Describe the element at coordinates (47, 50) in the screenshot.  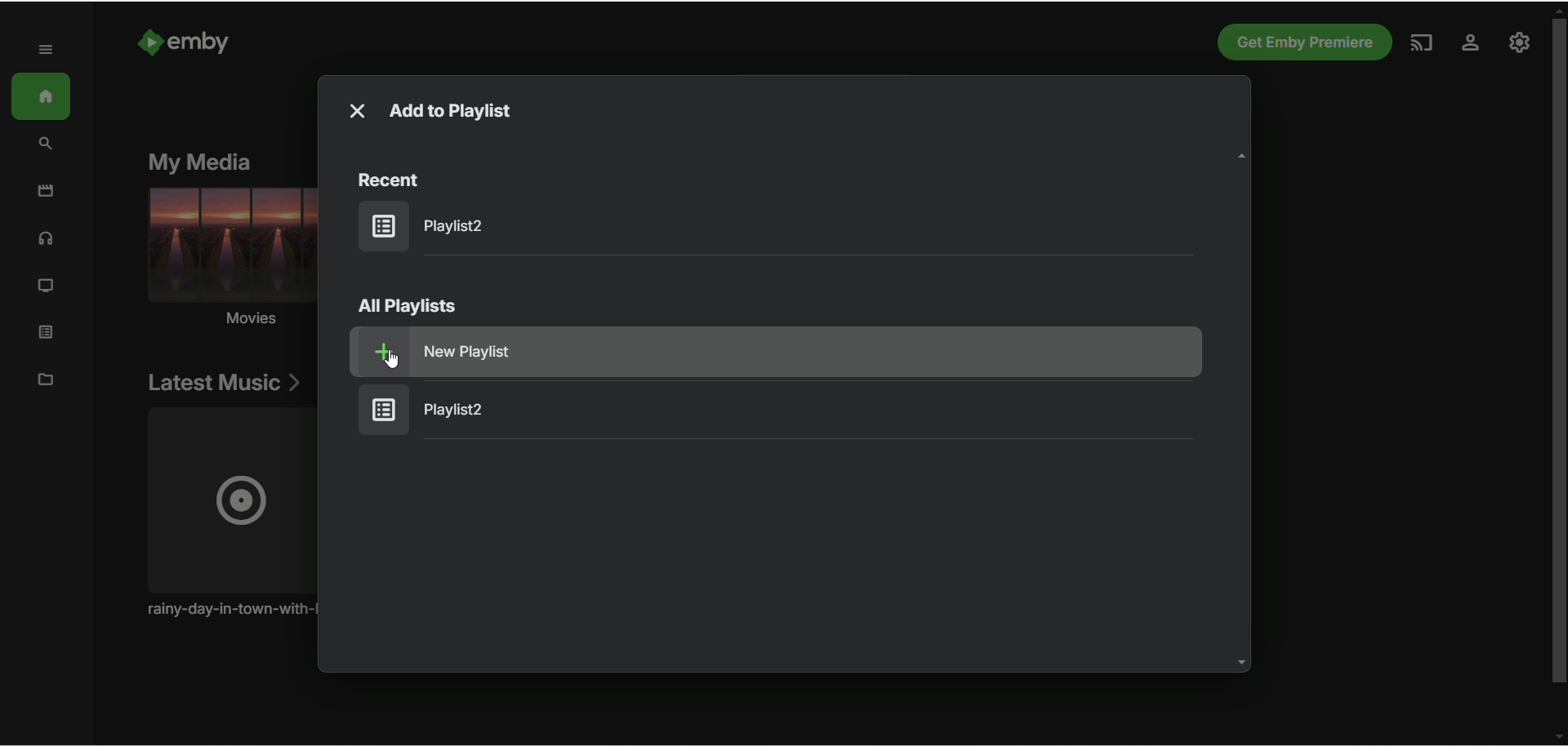
I see `expand` at that location.